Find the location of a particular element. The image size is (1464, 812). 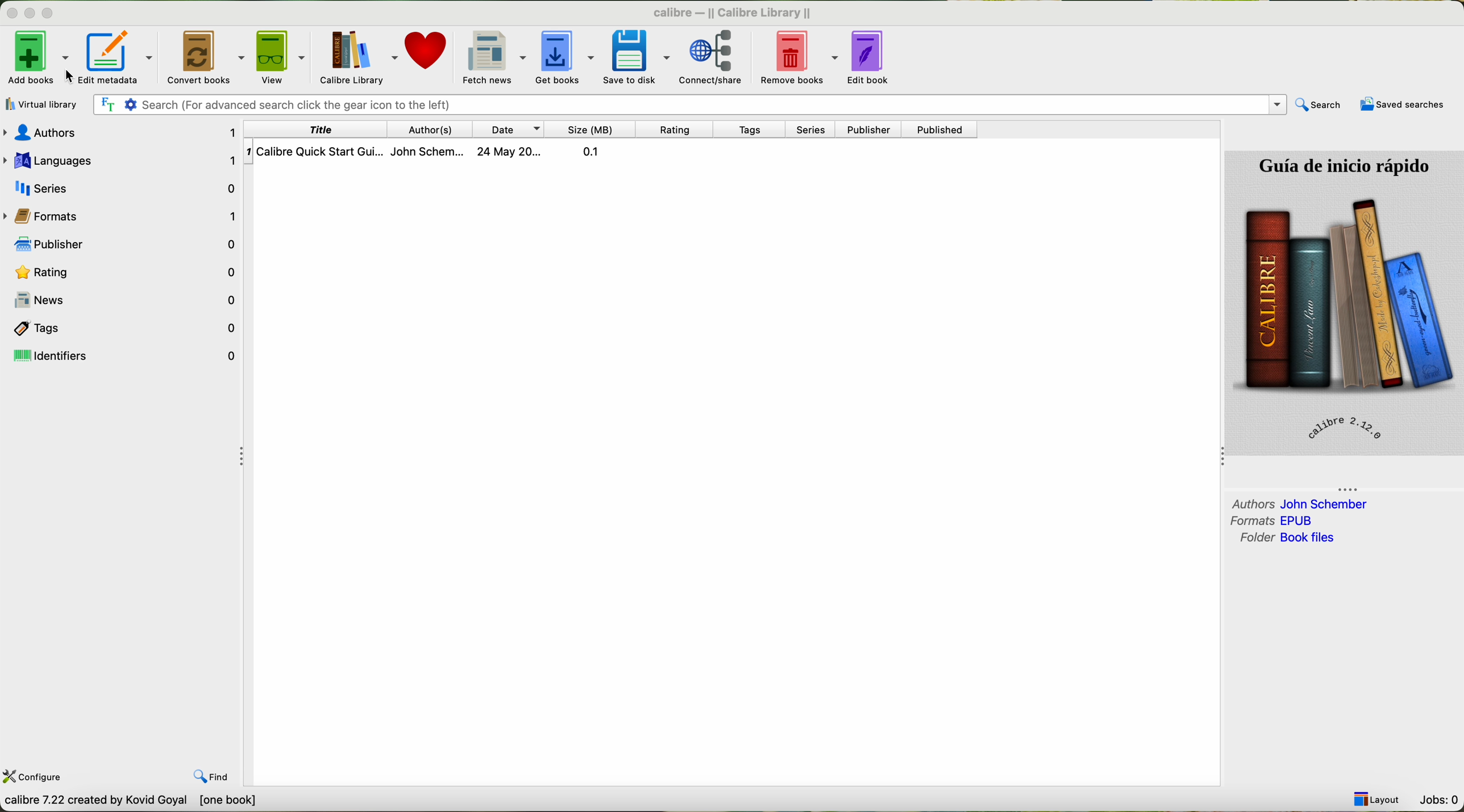

title is located at coordinates (314, 129).